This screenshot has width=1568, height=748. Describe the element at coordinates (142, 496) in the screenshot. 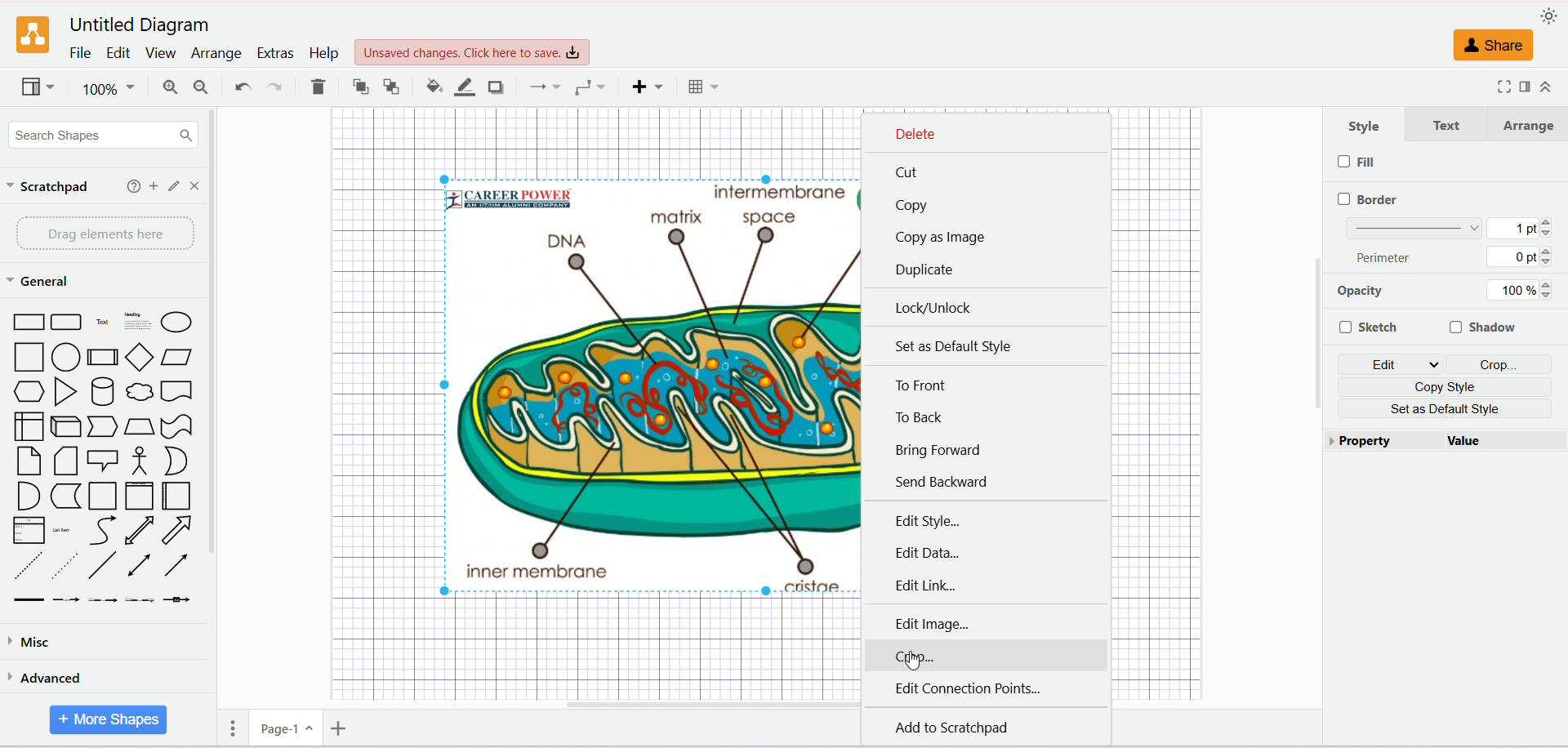

I see `Vertical Container` at that location.